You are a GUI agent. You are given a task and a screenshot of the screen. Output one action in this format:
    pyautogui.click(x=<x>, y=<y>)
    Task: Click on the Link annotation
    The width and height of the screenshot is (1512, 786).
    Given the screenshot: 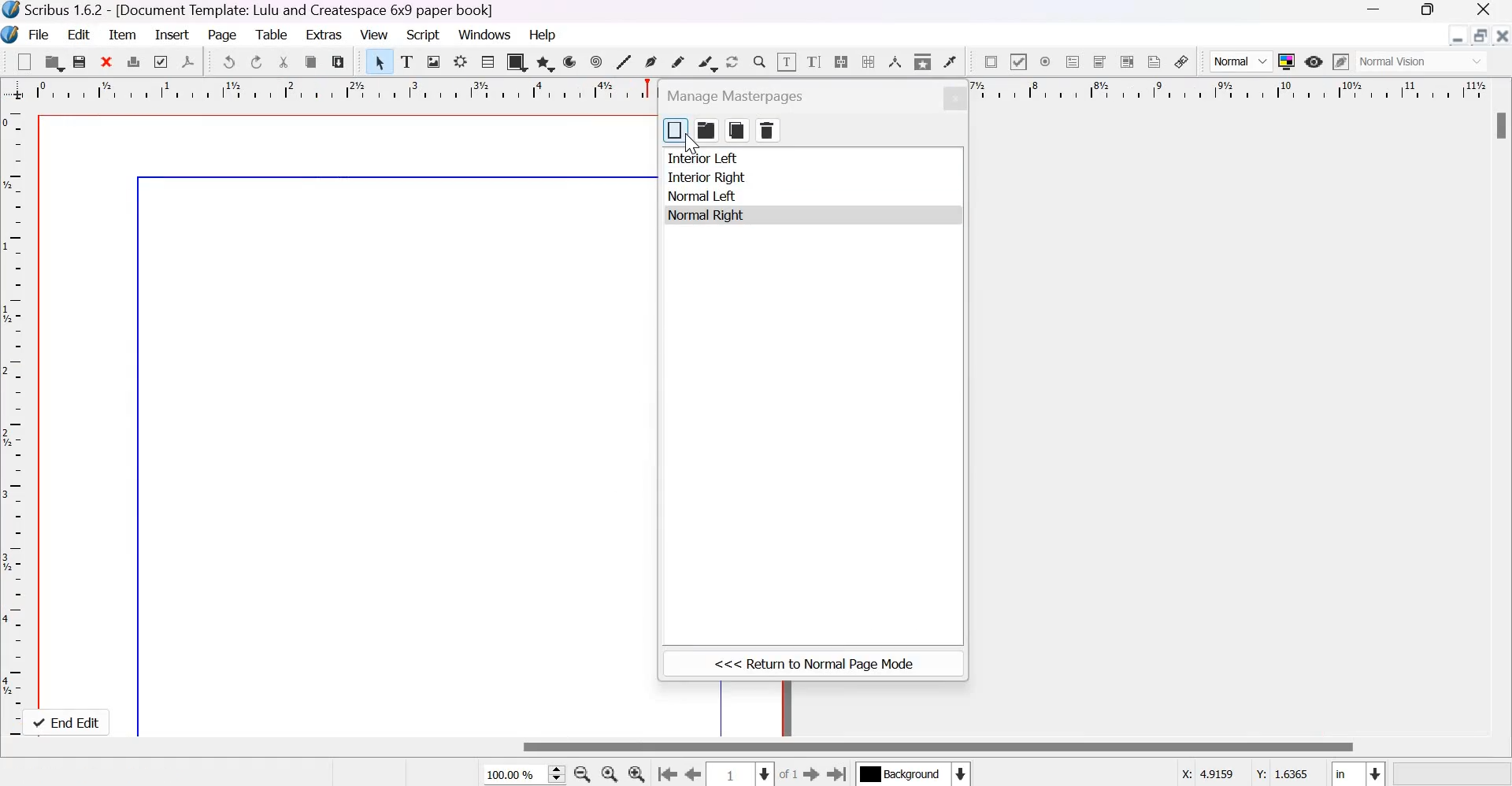 What is the action you would take?
    pyautogui.click(x=1181, y=61)
    